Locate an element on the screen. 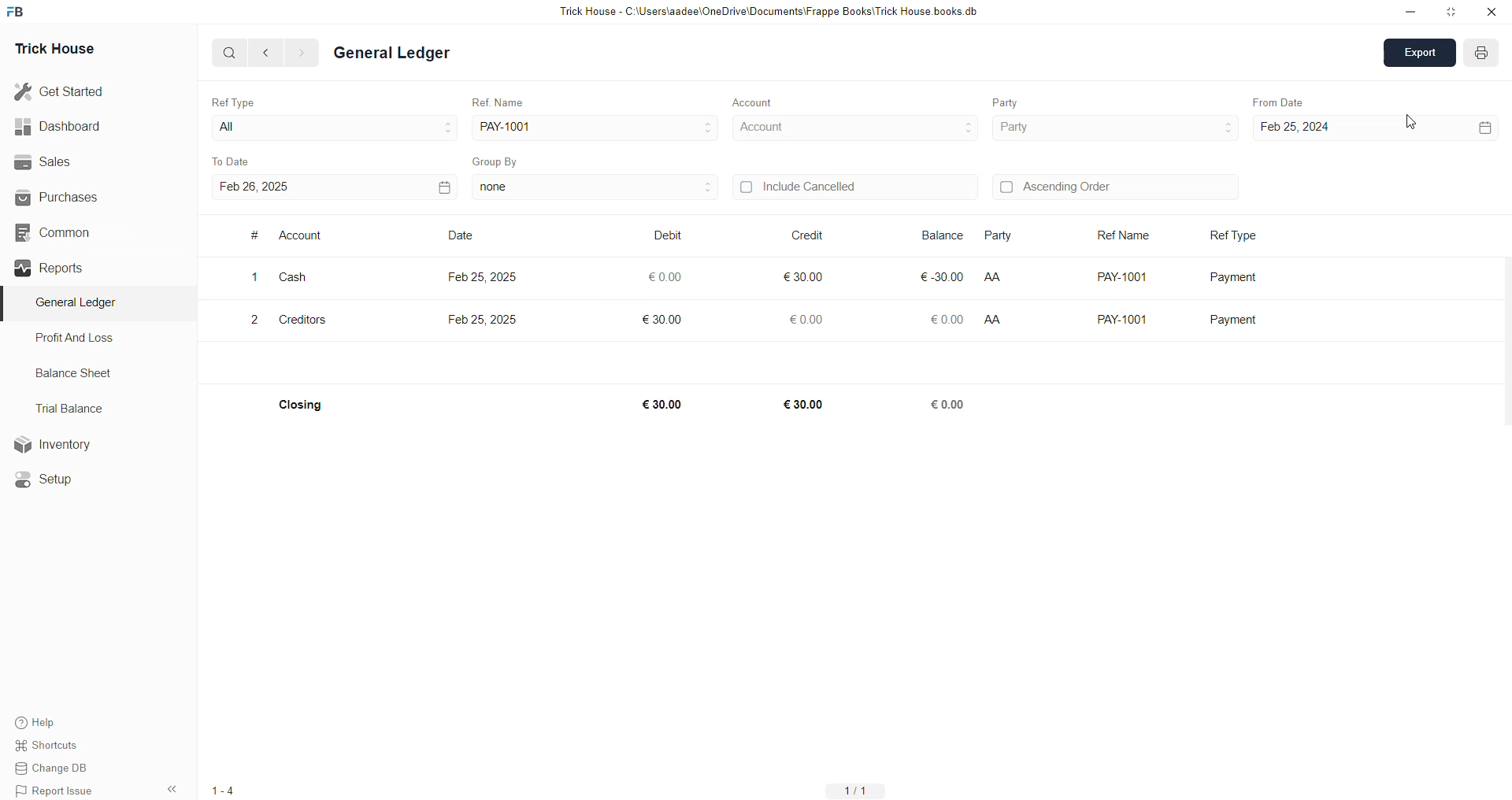 The image size is (1512, 800). Q is located at coordinates (224, 51).